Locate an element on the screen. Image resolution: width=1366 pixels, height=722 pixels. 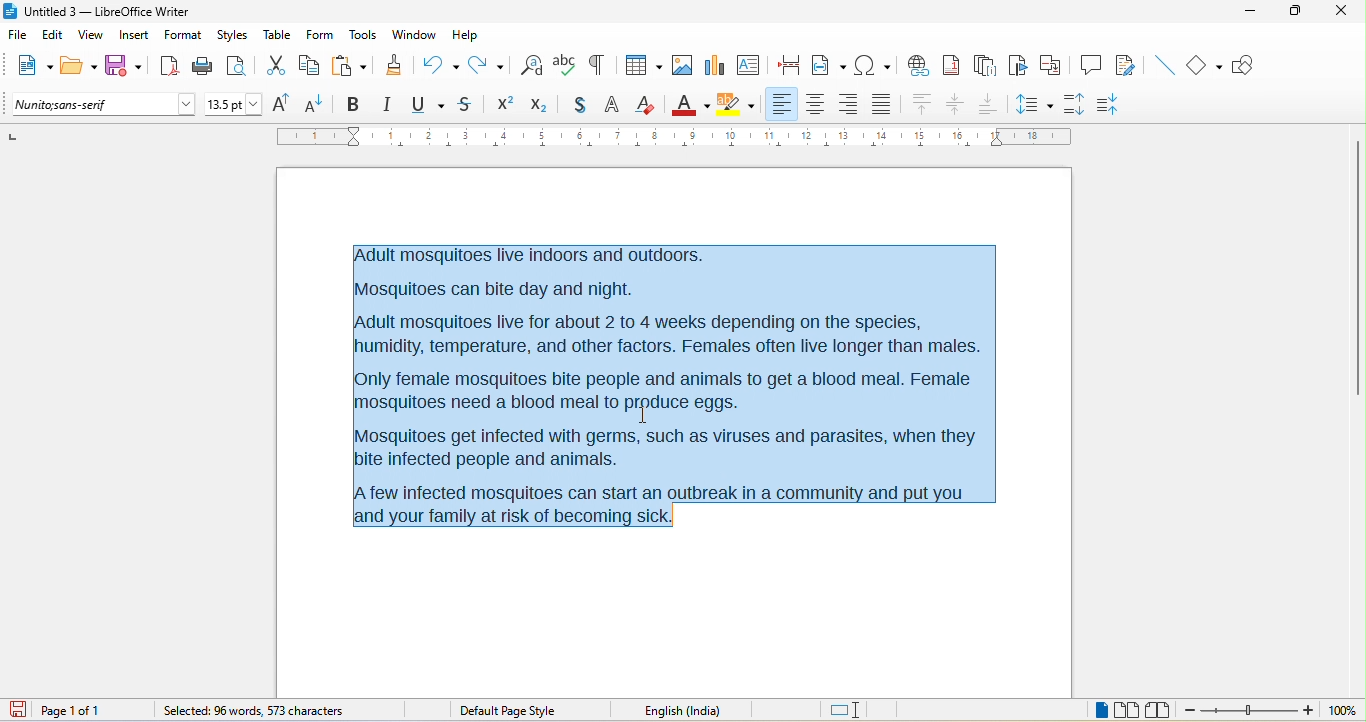
font name is located at coordinates (103, 105).